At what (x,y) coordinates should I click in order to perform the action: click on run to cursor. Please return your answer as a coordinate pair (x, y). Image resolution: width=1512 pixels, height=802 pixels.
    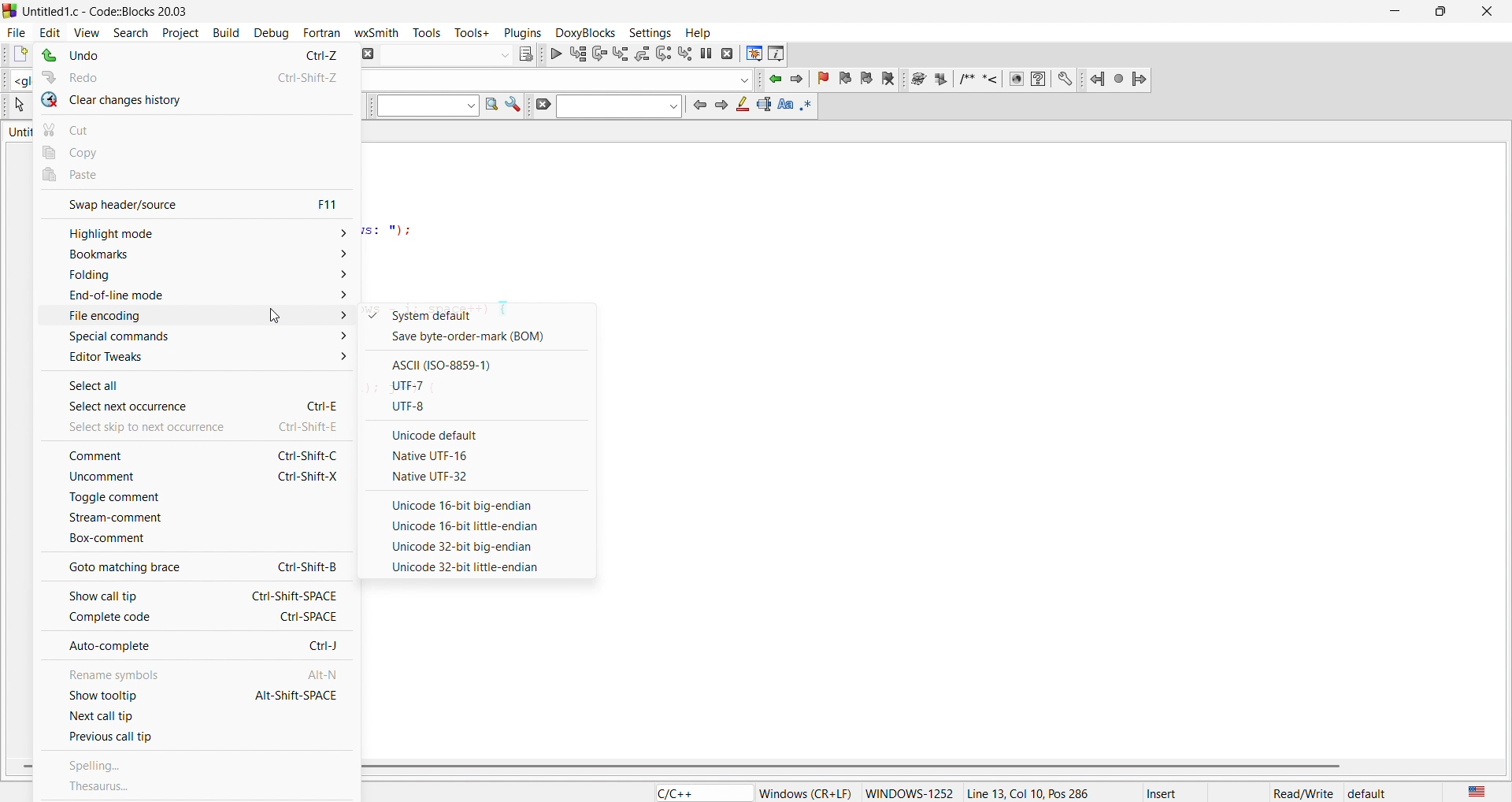
    Looking at the image, I should click on (577, 54).